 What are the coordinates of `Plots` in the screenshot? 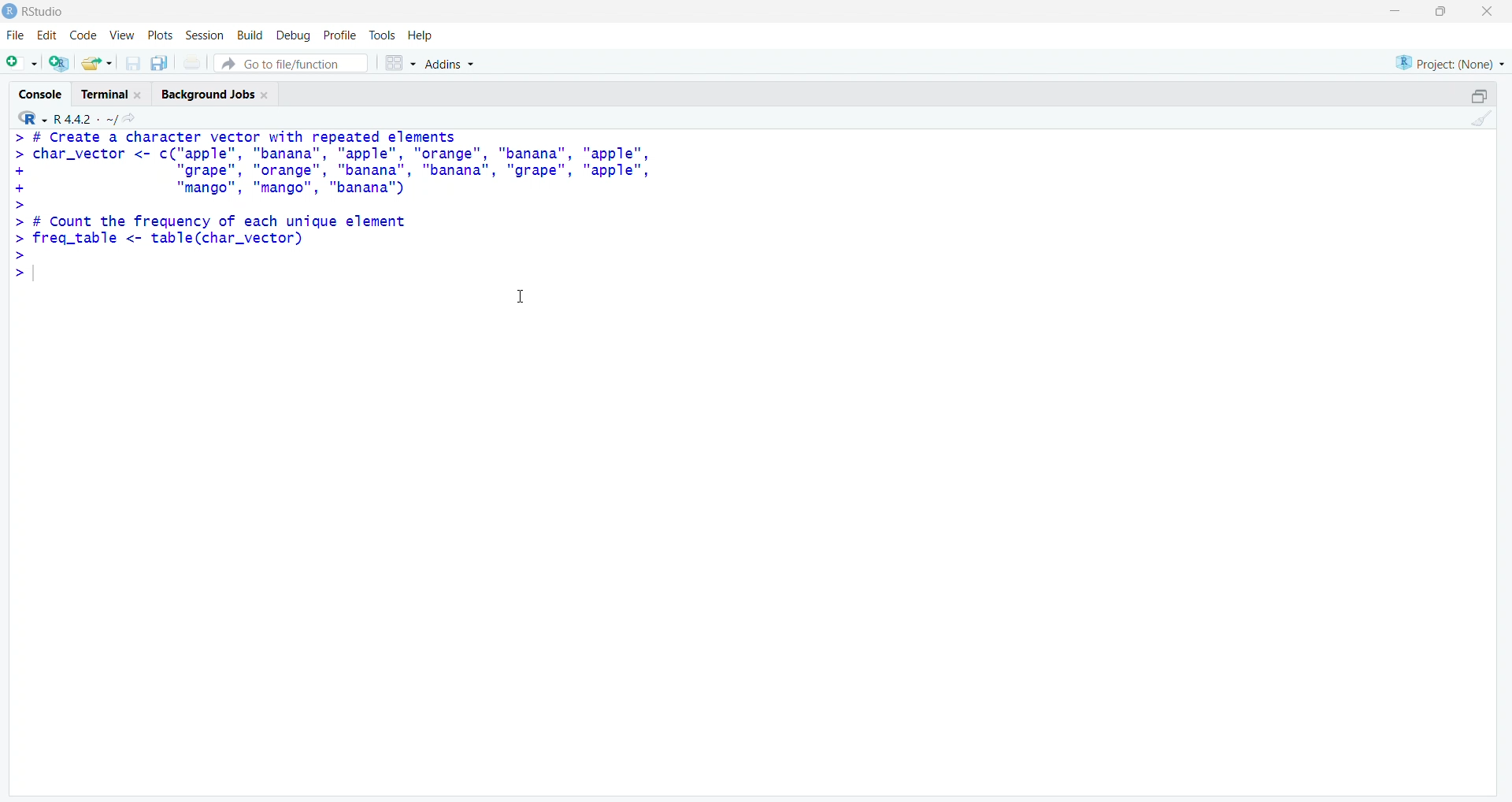 It's located at (161, 36).